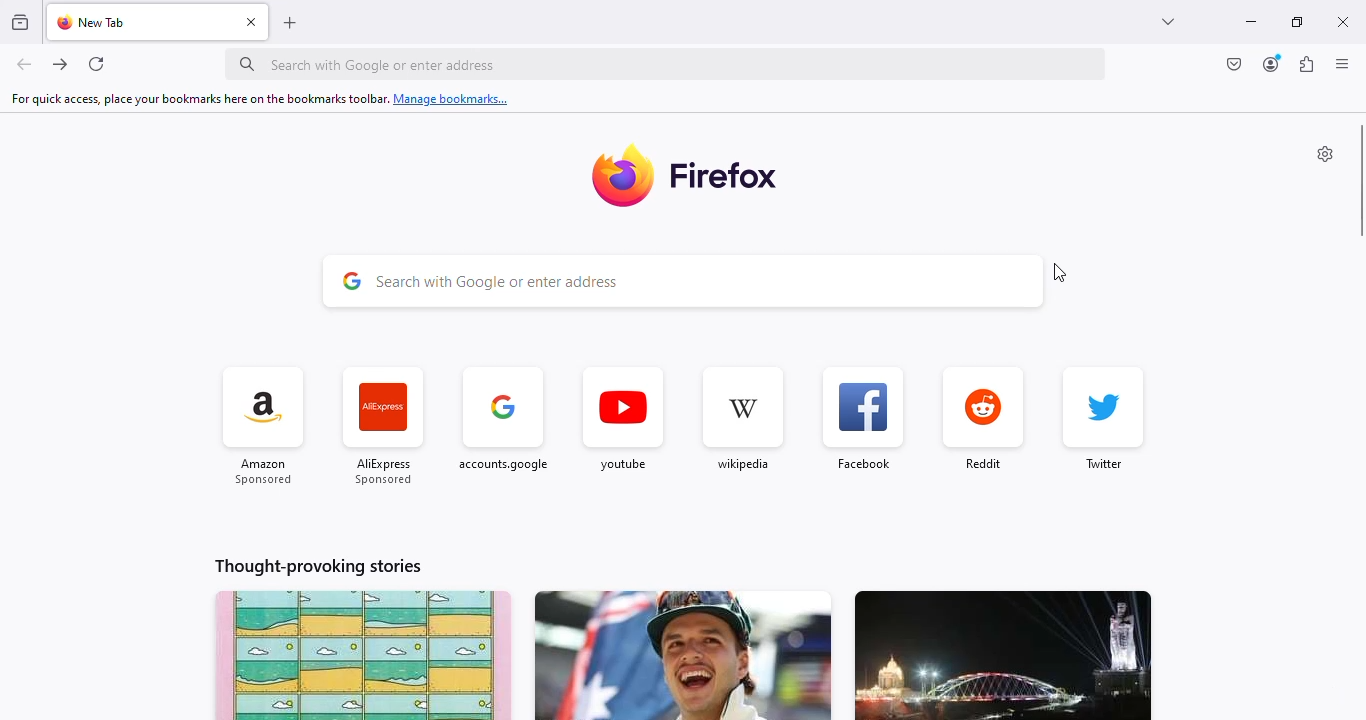 This screenshot has width=1366, height=720. I want to click on wikipedia, so click(741, 420).